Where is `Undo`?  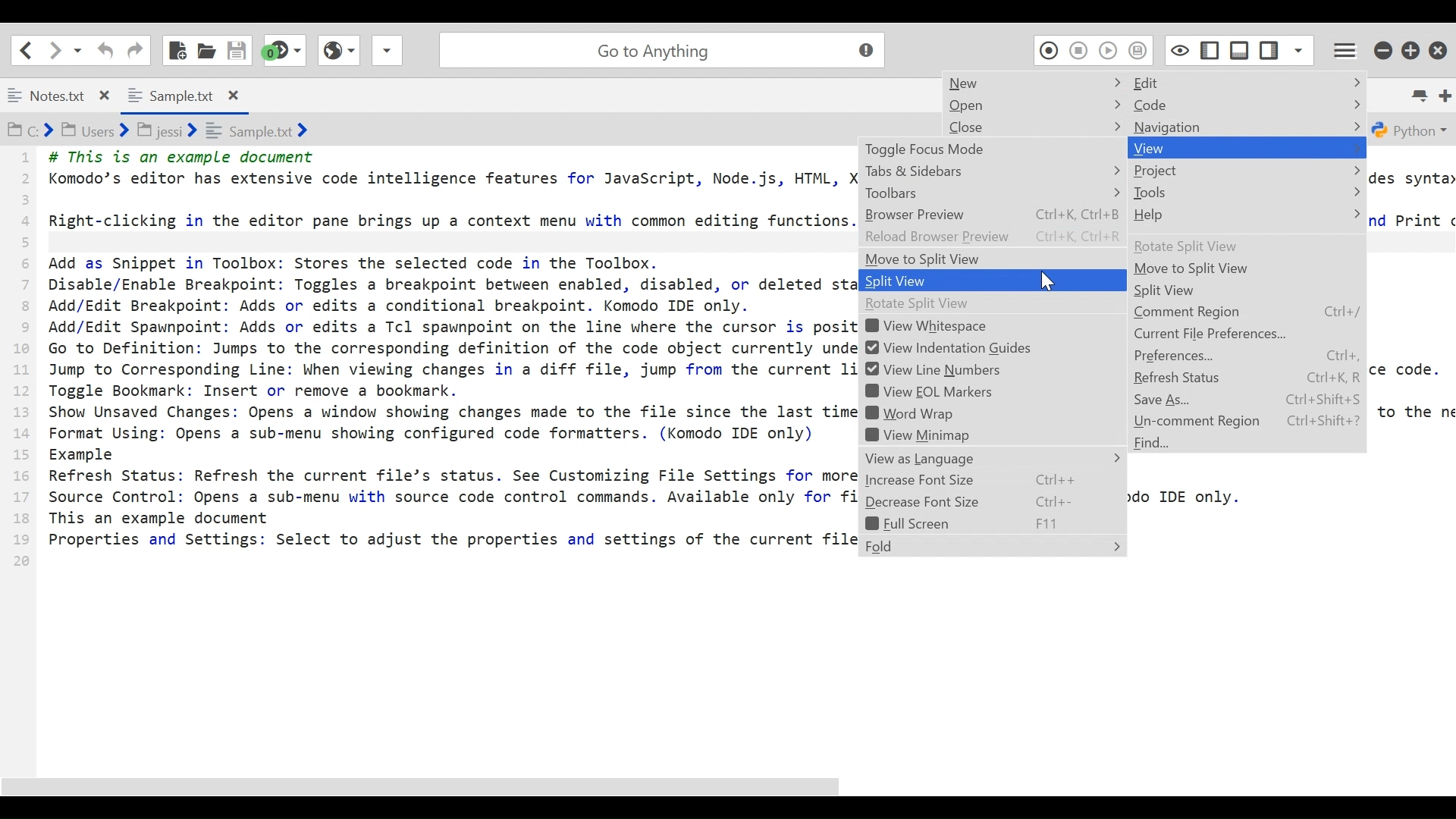 Undo is located at coordinates (106, 49).